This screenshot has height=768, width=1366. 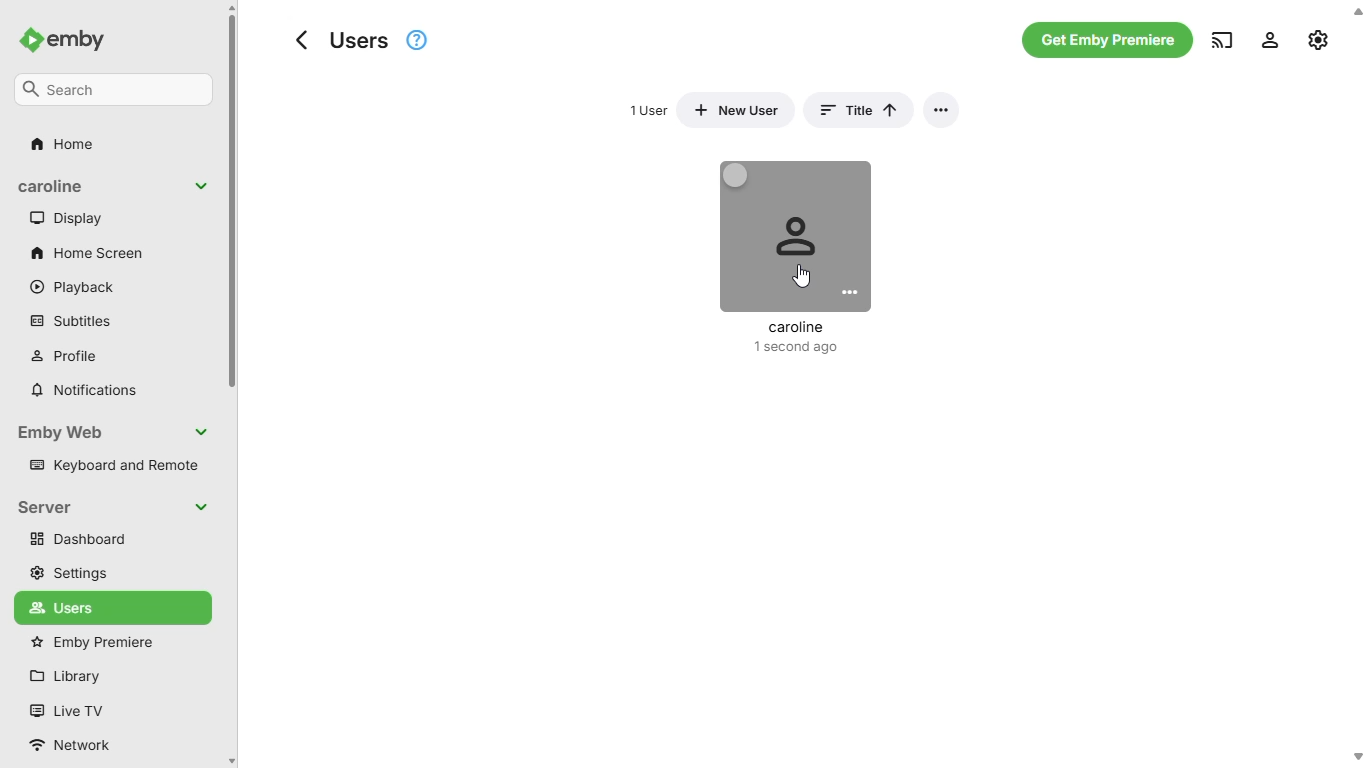 What do you see at coordinates (795, 259) in the screenshot?
I see `profile` at bounding box center [795, 259].